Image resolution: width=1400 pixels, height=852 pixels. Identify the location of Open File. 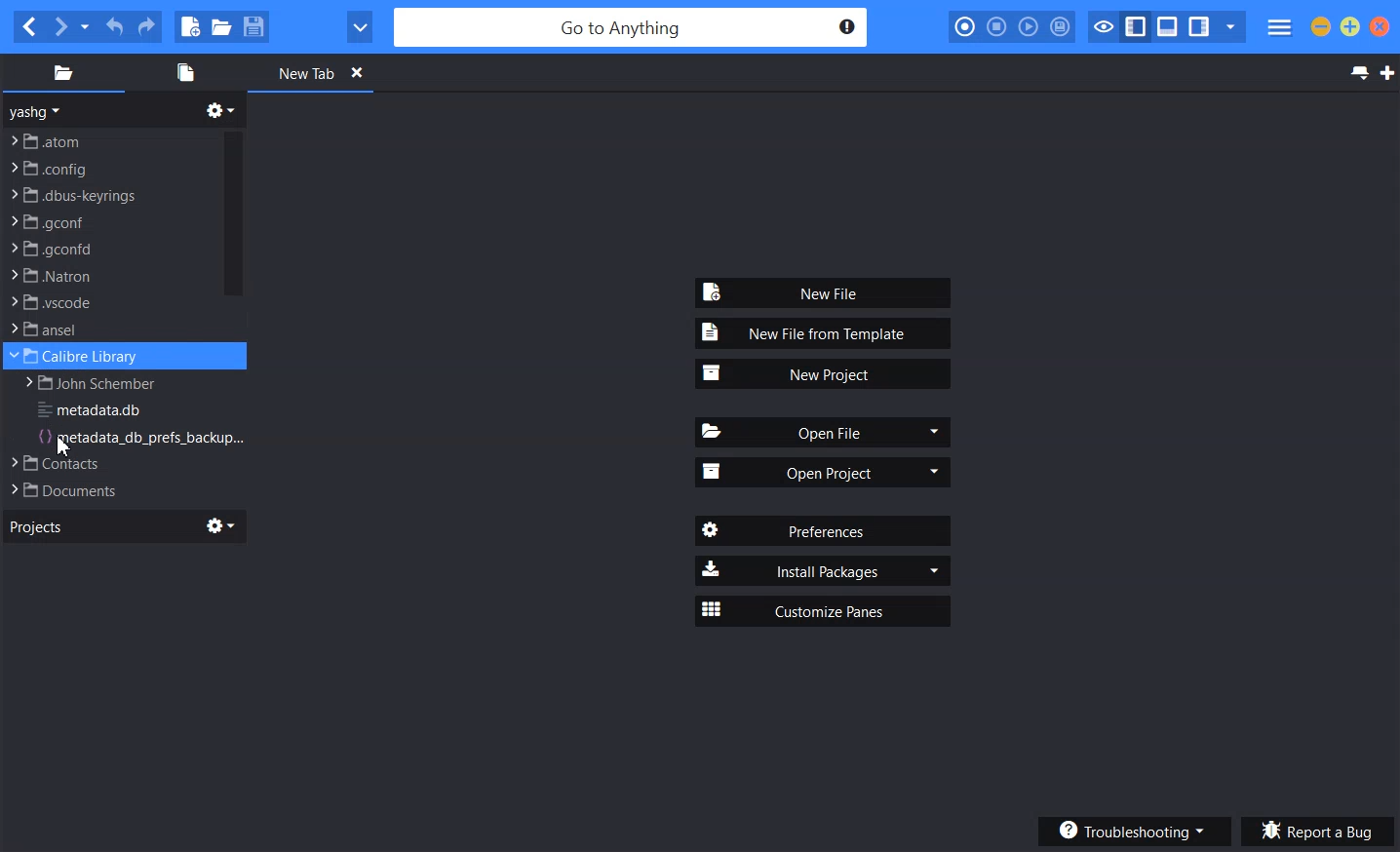
(825, 432).